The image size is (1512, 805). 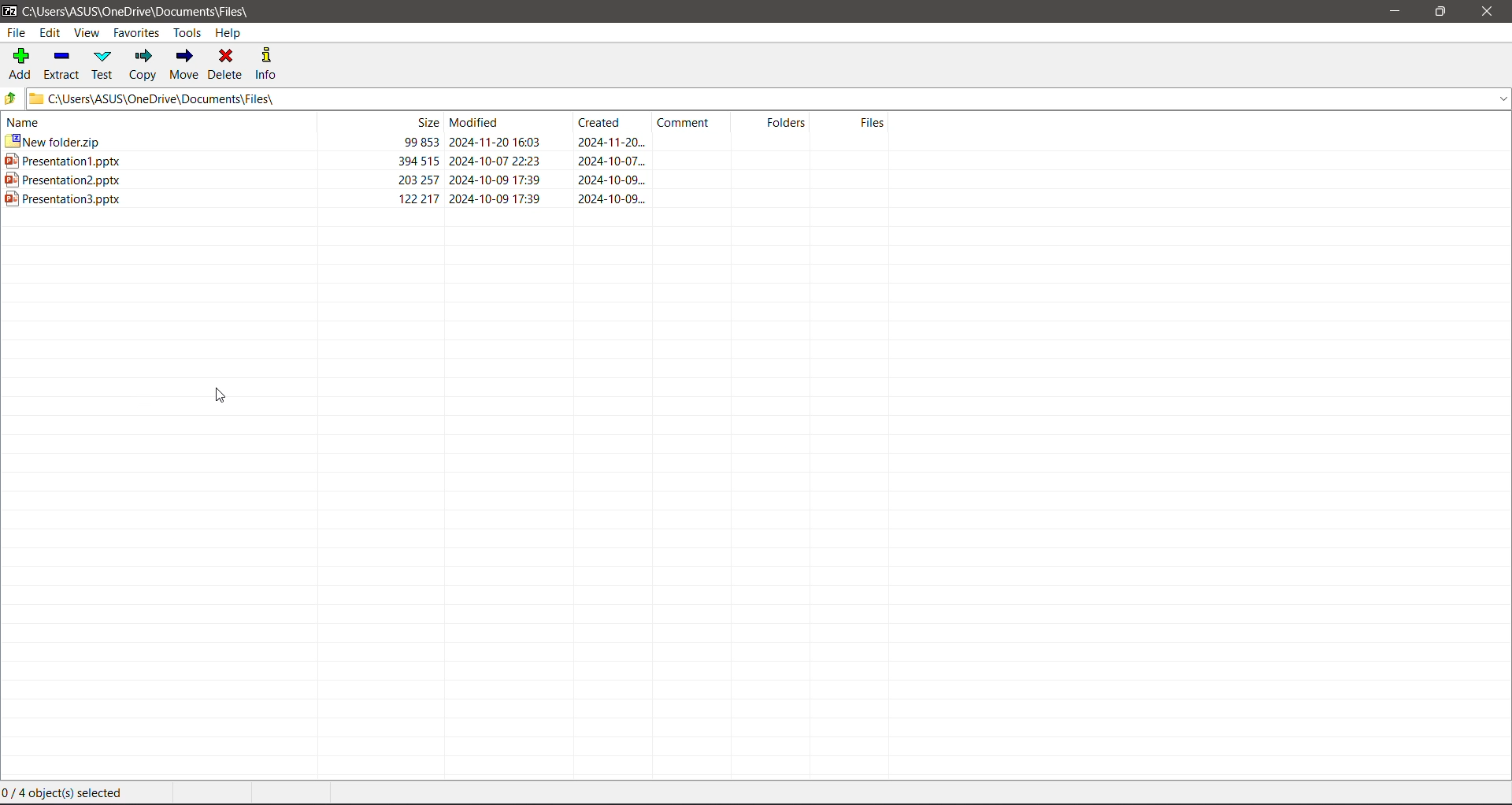 What do you see at coordinates (143, 64) in the screenshot?
I see `Copy` at bounding box center [143, 64].